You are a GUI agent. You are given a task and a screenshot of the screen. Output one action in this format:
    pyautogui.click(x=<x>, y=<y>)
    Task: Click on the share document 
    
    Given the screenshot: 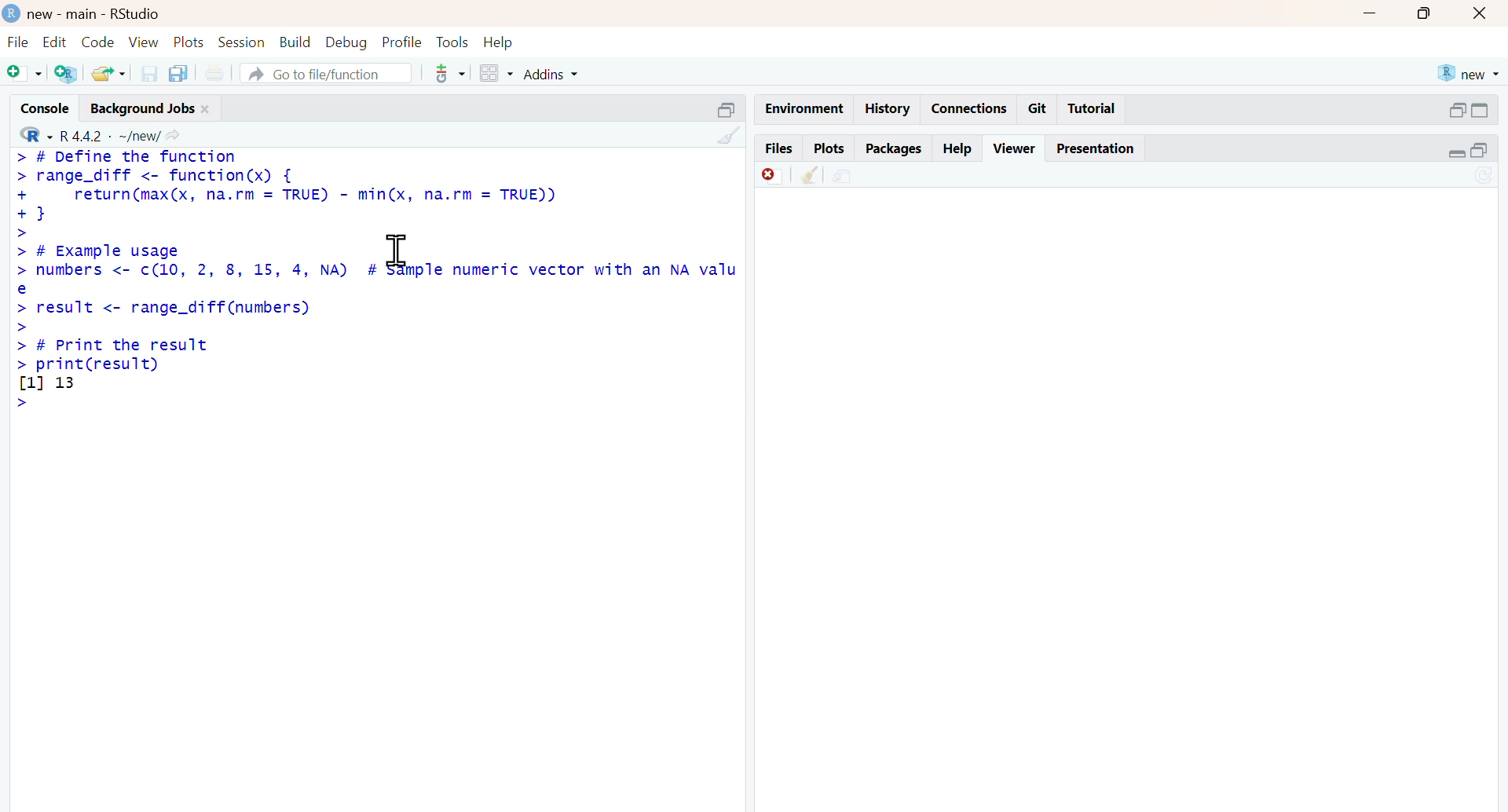 What is the action you would take?
    pyautogui.click(x=842, y=177)
    